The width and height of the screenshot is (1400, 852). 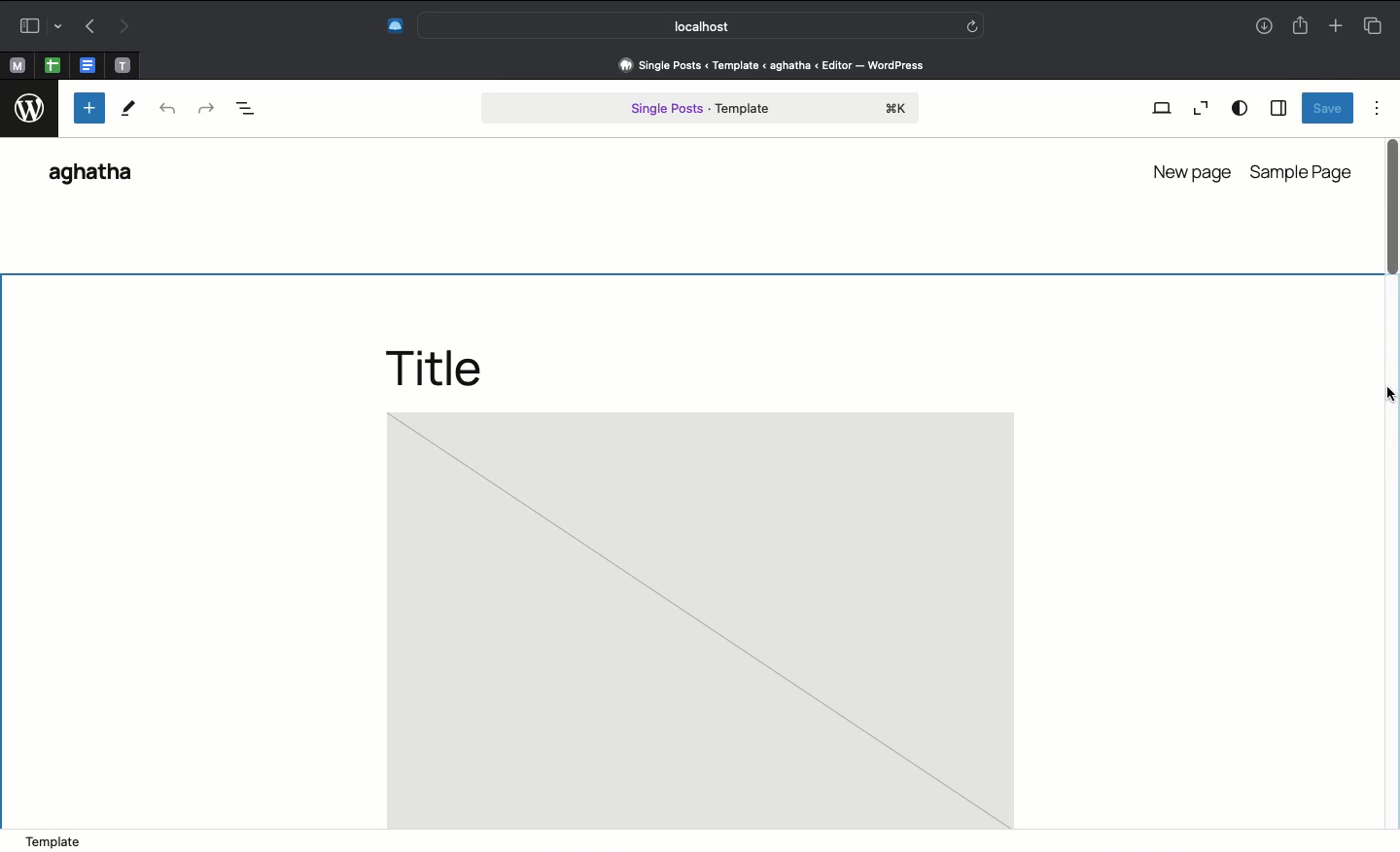 I want to click on logo, so click(x=31, y=104).